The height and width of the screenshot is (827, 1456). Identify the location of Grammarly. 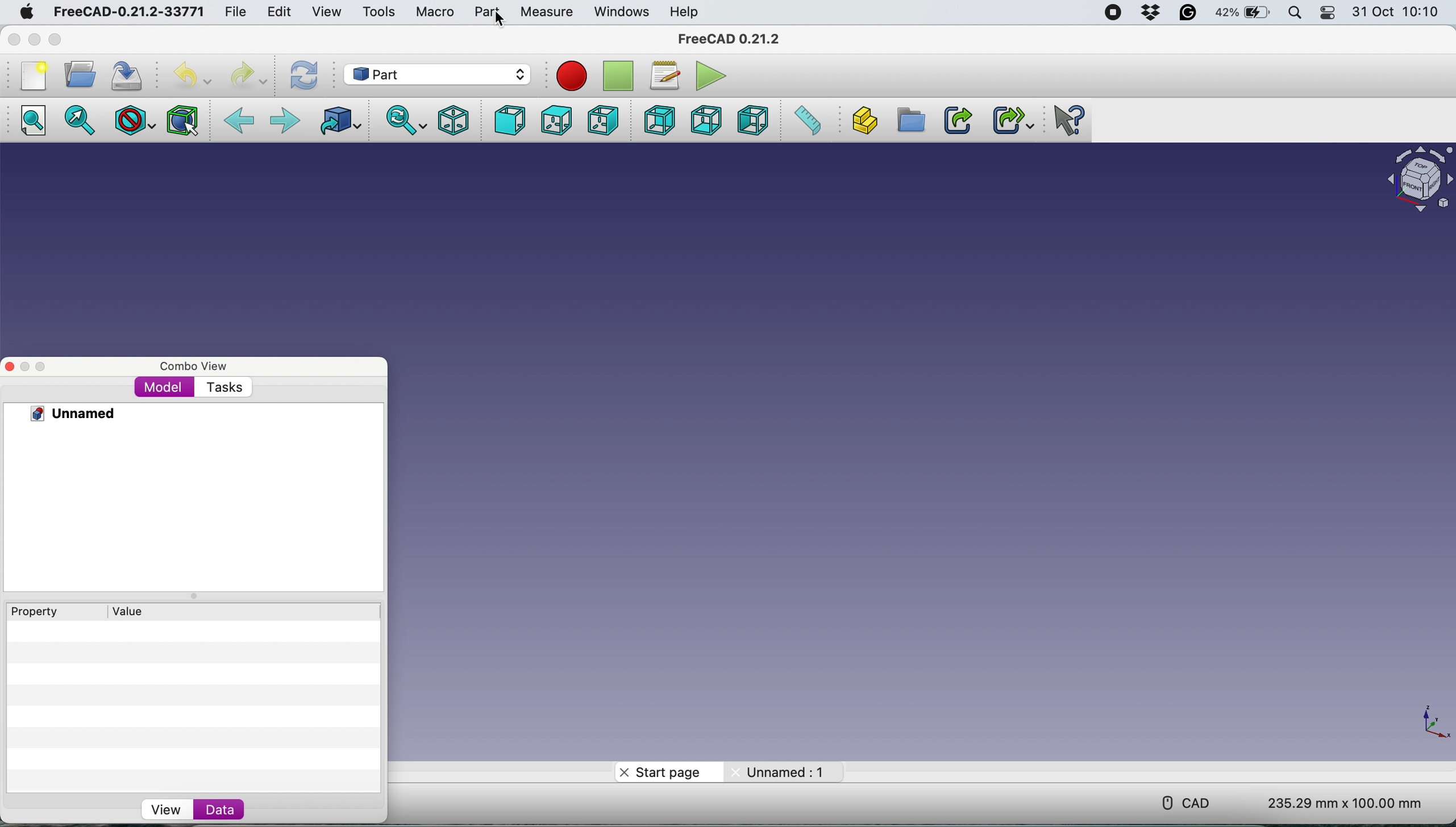
(1189, 12).